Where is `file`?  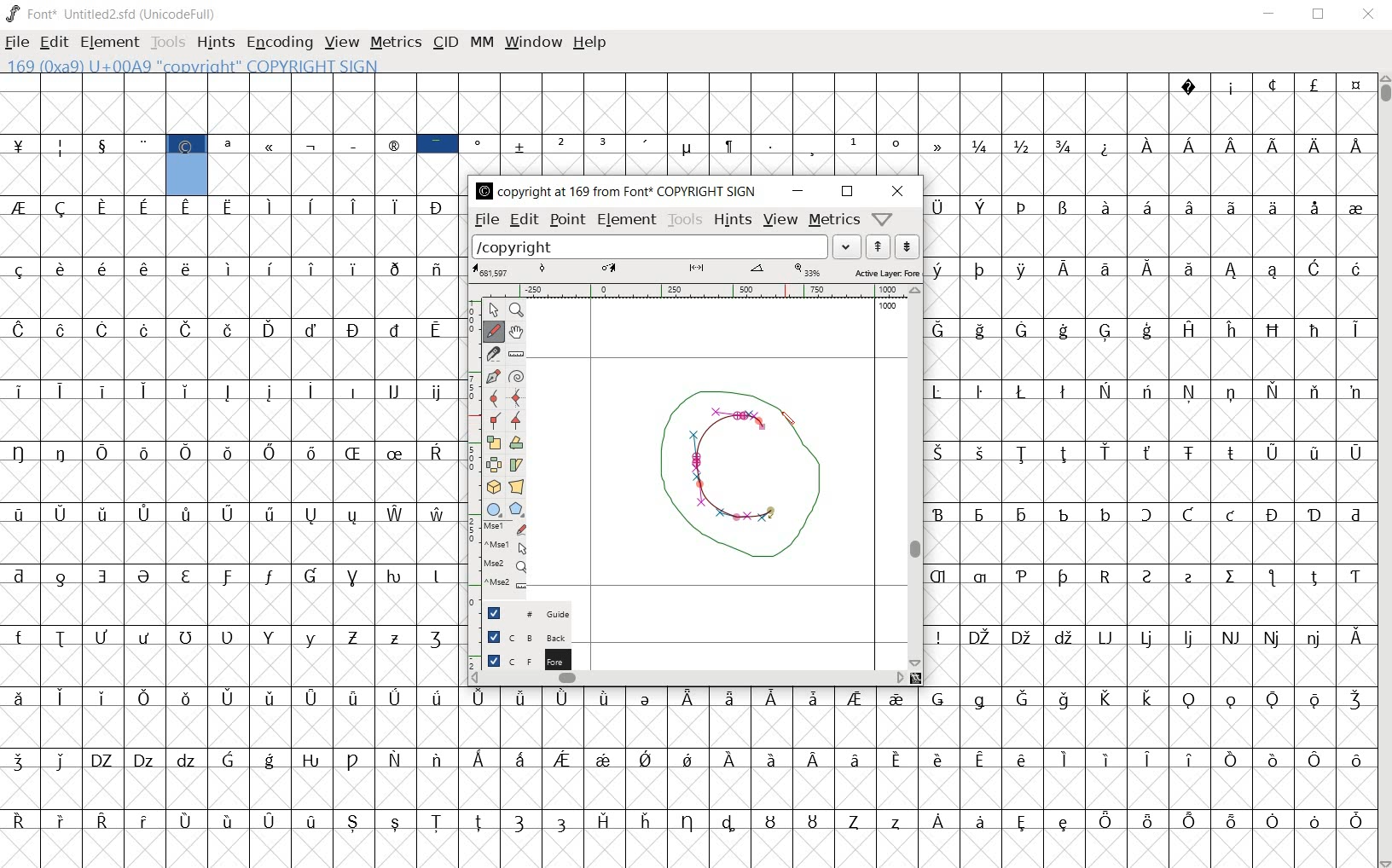 file is located at coordinates (17, 44).